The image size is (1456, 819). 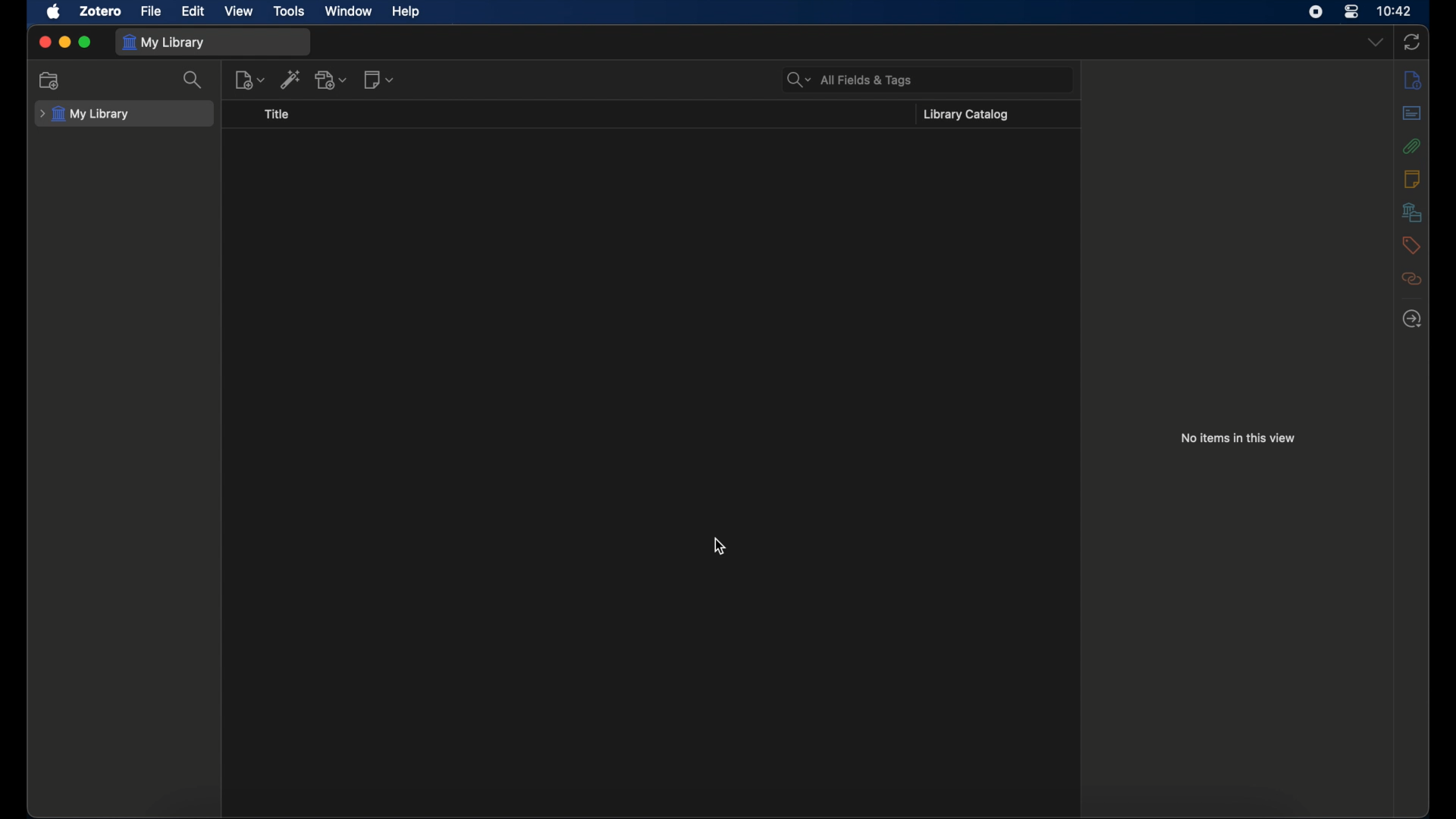 I want to click on related, so click(x=1411, y=278).